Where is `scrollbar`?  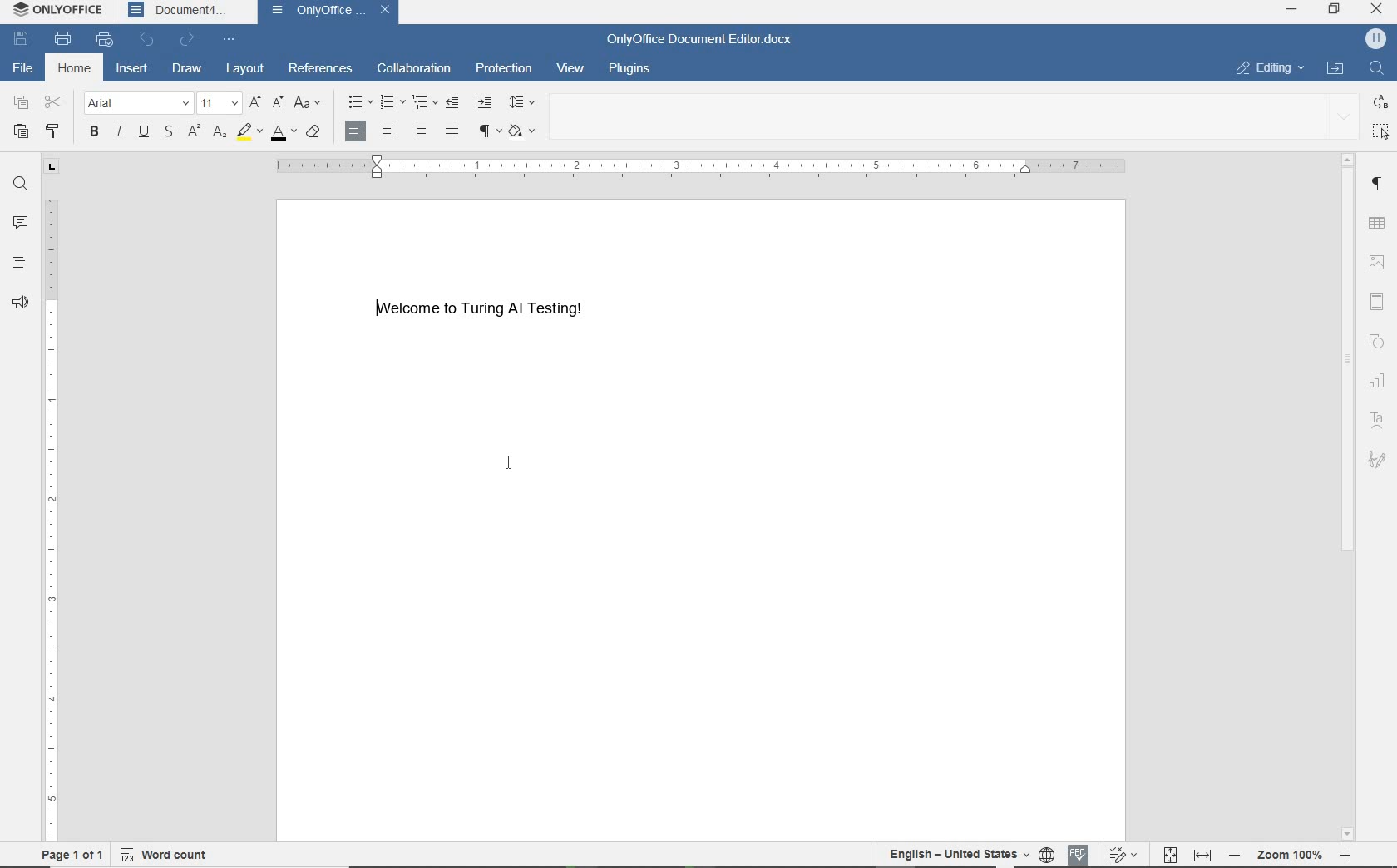
scrollbar is located at coordinates (1350, 356).